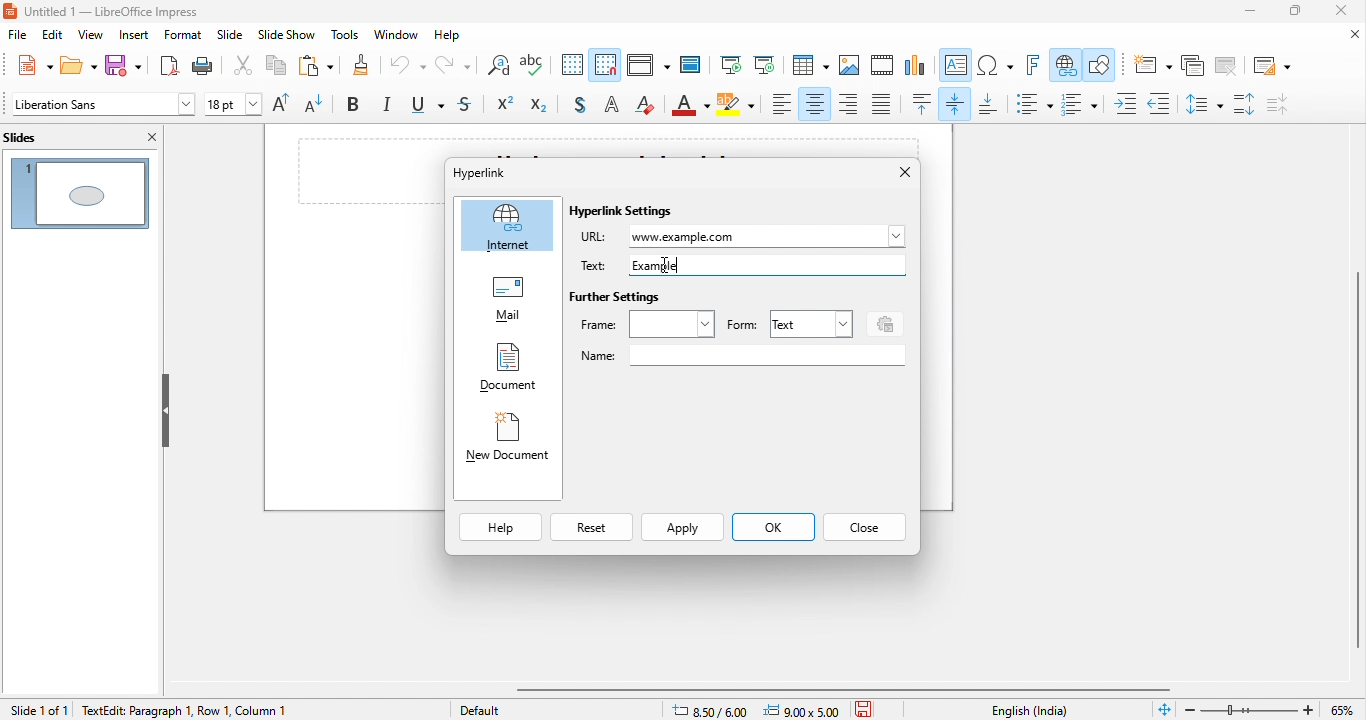 The height and width of the screenshot is (720, 1366). Describe the element at coordinates (590, 529) in the screenshot. I see `reset` at that location.